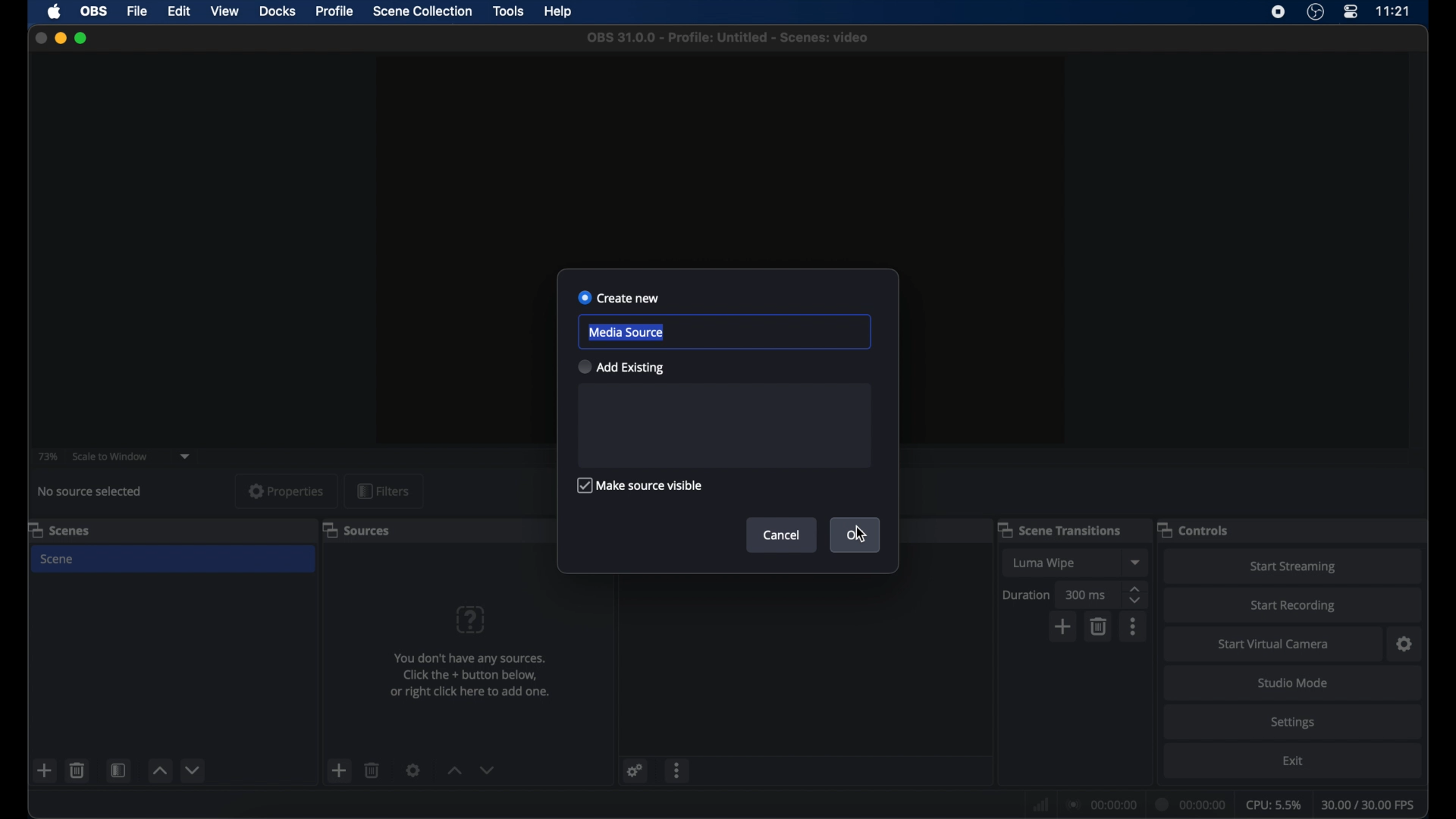  Describe the element at coordinates (120, 770) in the screenshot. I see `scene filters` at that location.